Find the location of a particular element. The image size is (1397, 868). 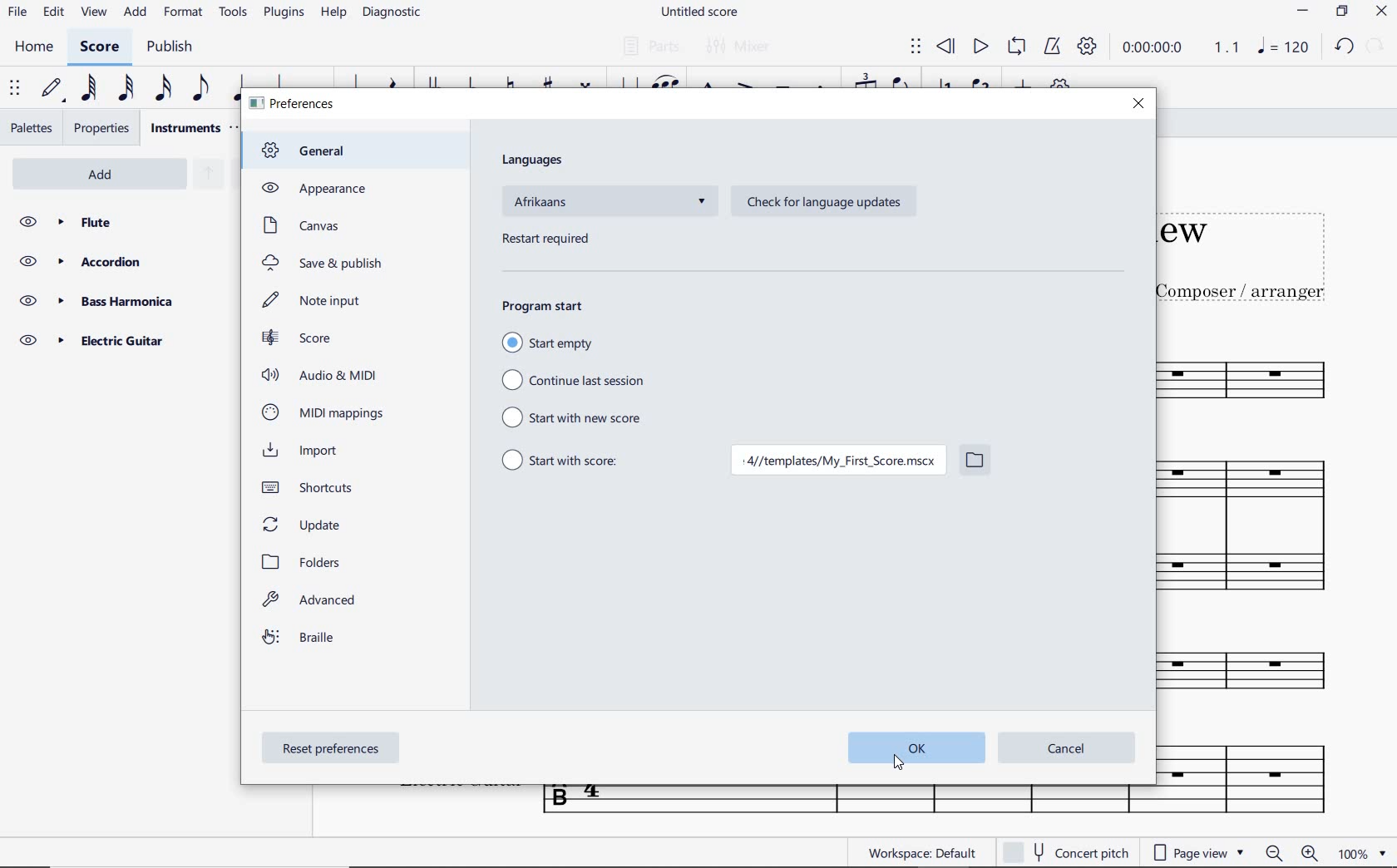

64th note is located at coordinates (87, 89).